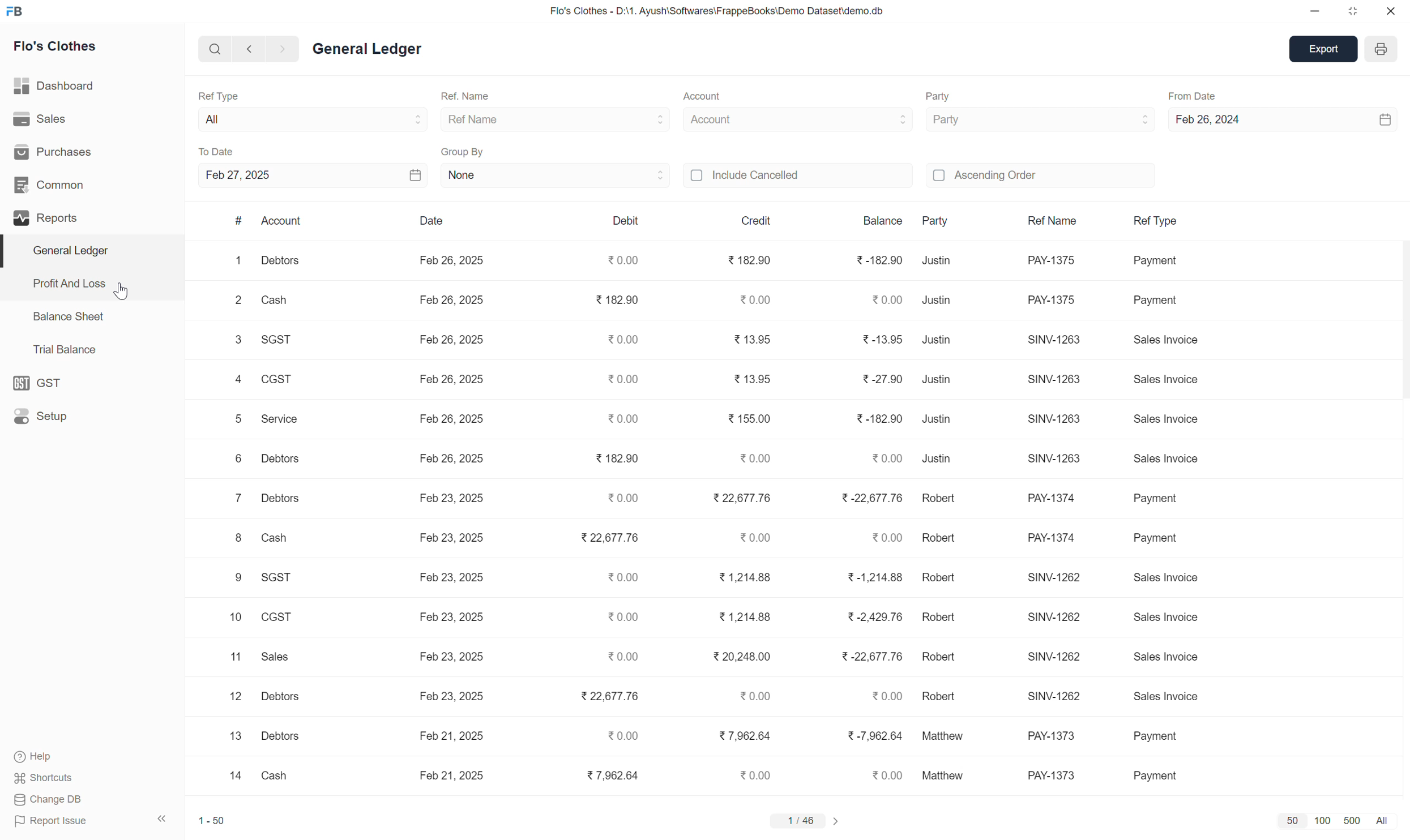  What do you see at coordinates (231, 458) in the screenshot?
I see `6` at bounding box center [231, 458].